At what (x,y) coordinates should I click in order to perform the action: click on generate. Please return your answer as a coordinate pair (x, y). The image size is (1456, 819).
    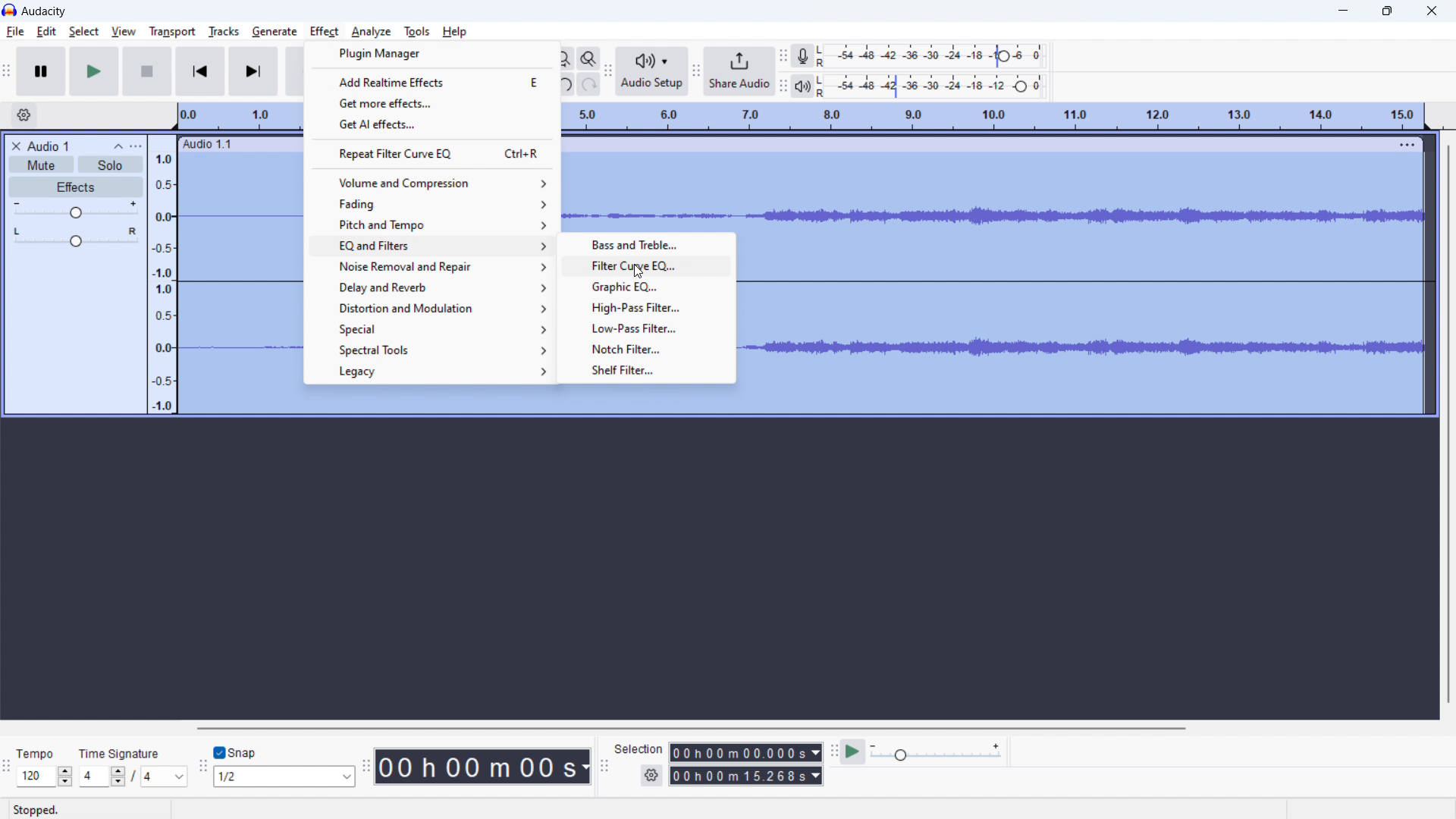
    Looking at the image, I should click on (275, 33).